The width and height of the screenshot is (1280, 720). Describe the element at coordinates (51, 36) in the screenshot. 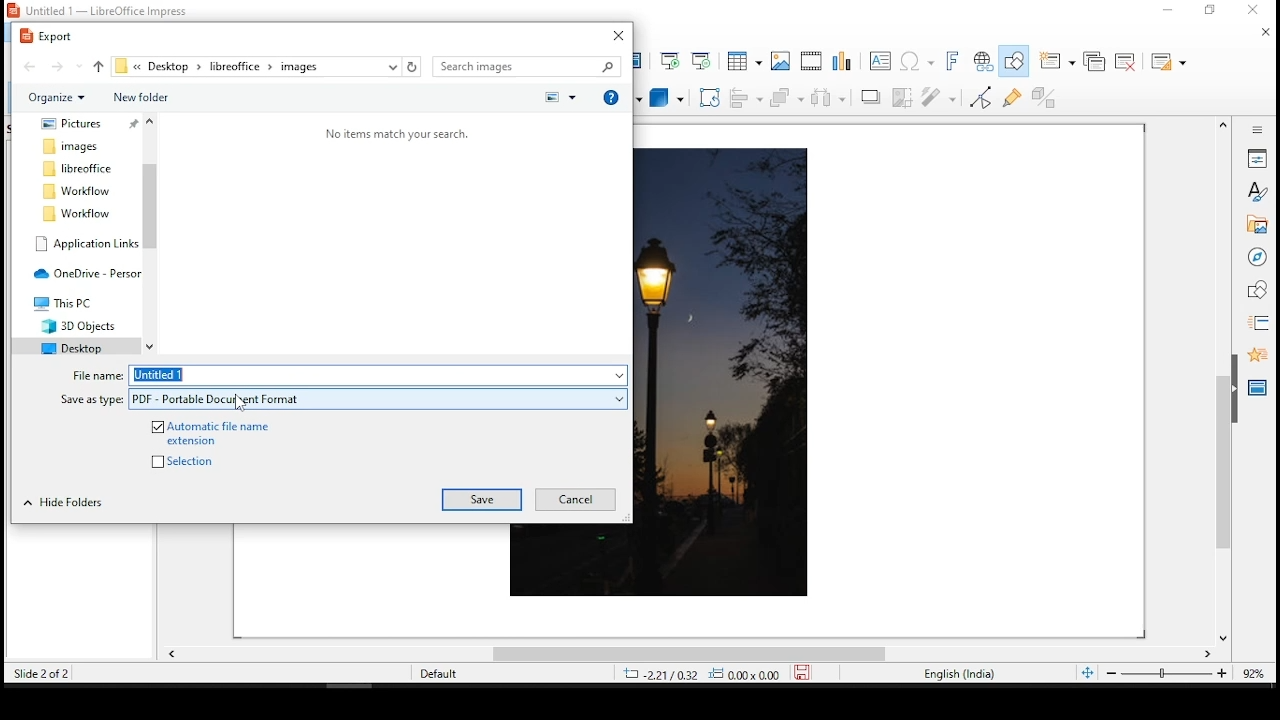

I see `export` at that location.